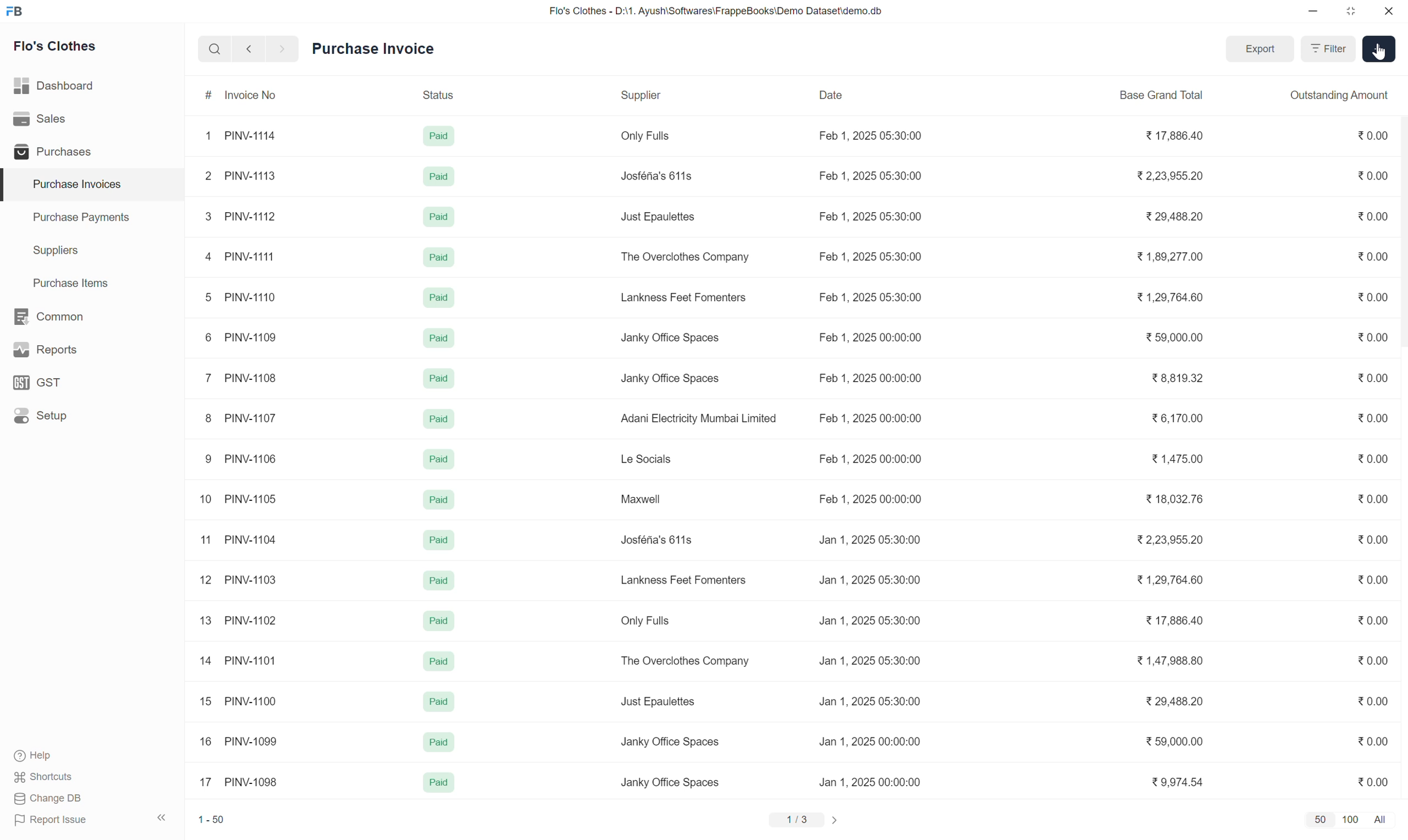  What do you see at coordinates (1328, 49) in the screenshot?
I see `Filter` at bounding box center [1328, 49].